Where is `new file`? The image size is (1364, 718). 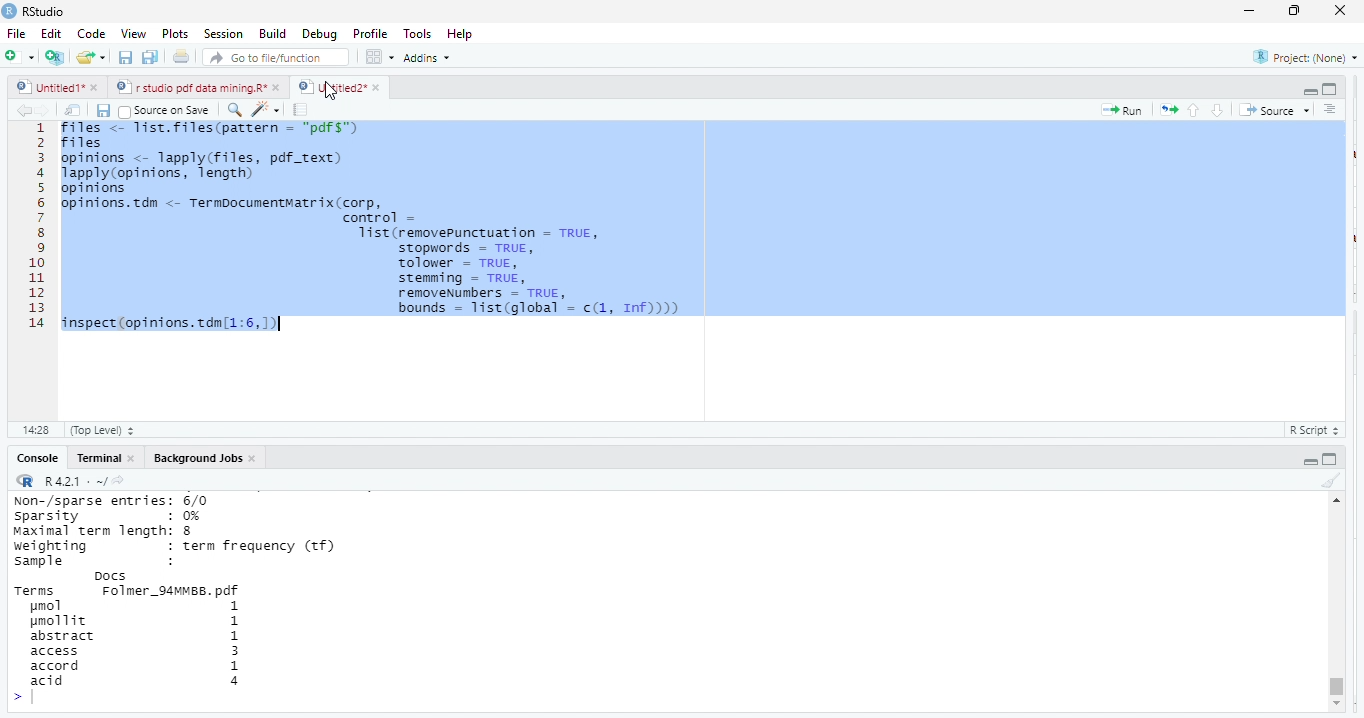
new file is located at coordinates (18, 56).